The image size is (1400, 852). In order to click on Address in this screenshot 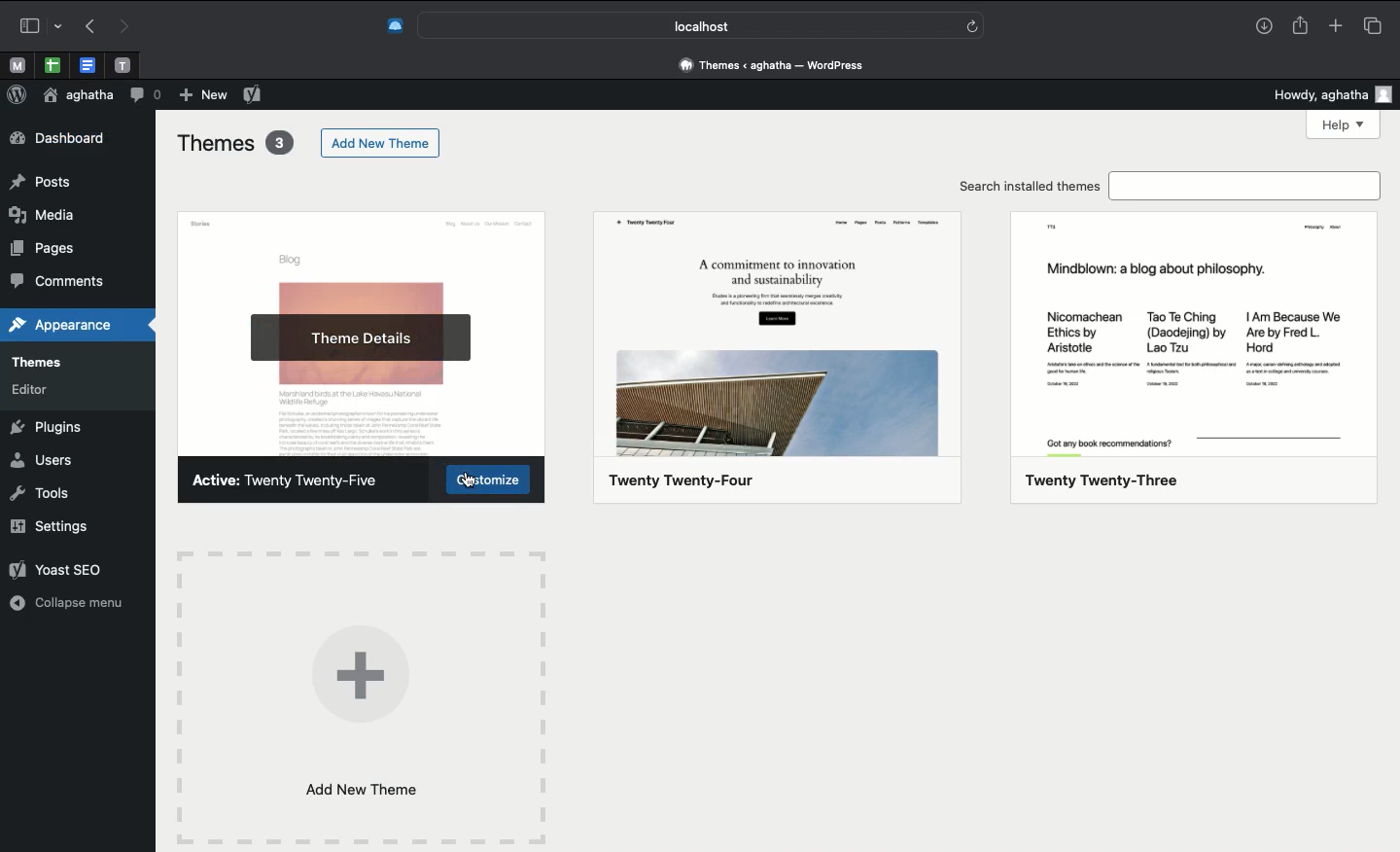, I will do `click(768, 66)`.